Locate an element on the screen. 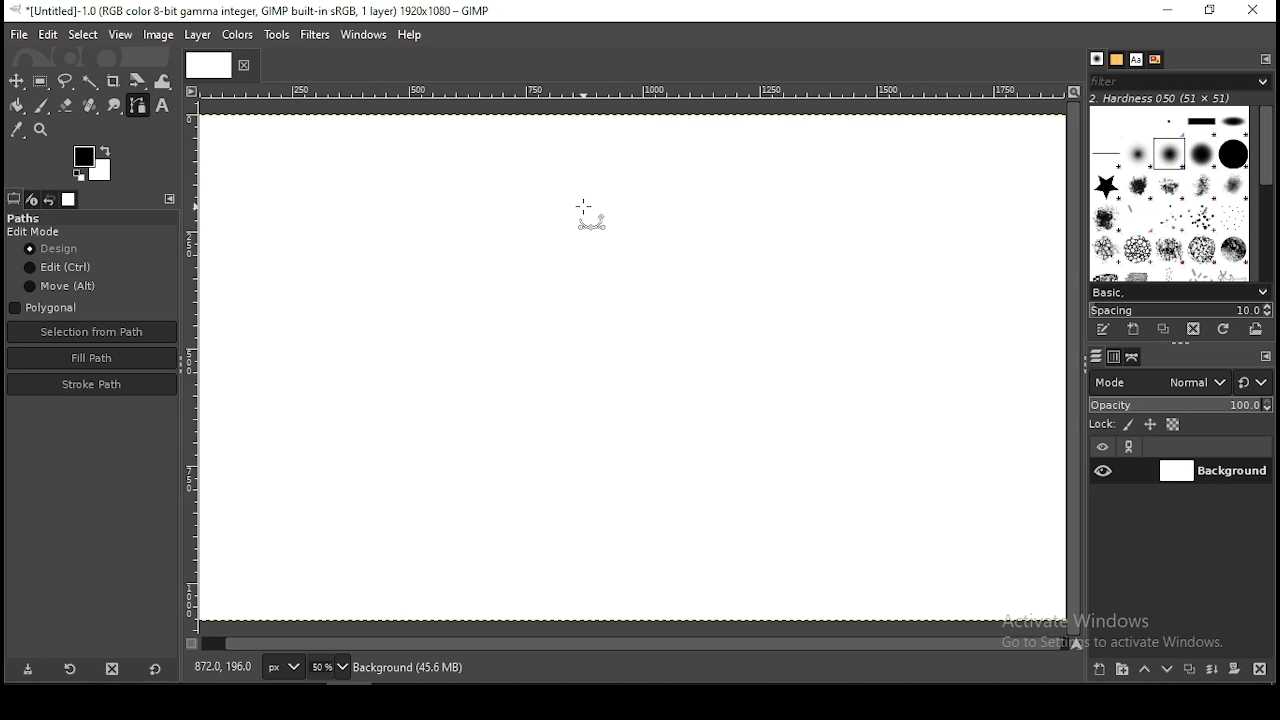 The image size is (1280, 720). move is located at coordinates (61, 286).